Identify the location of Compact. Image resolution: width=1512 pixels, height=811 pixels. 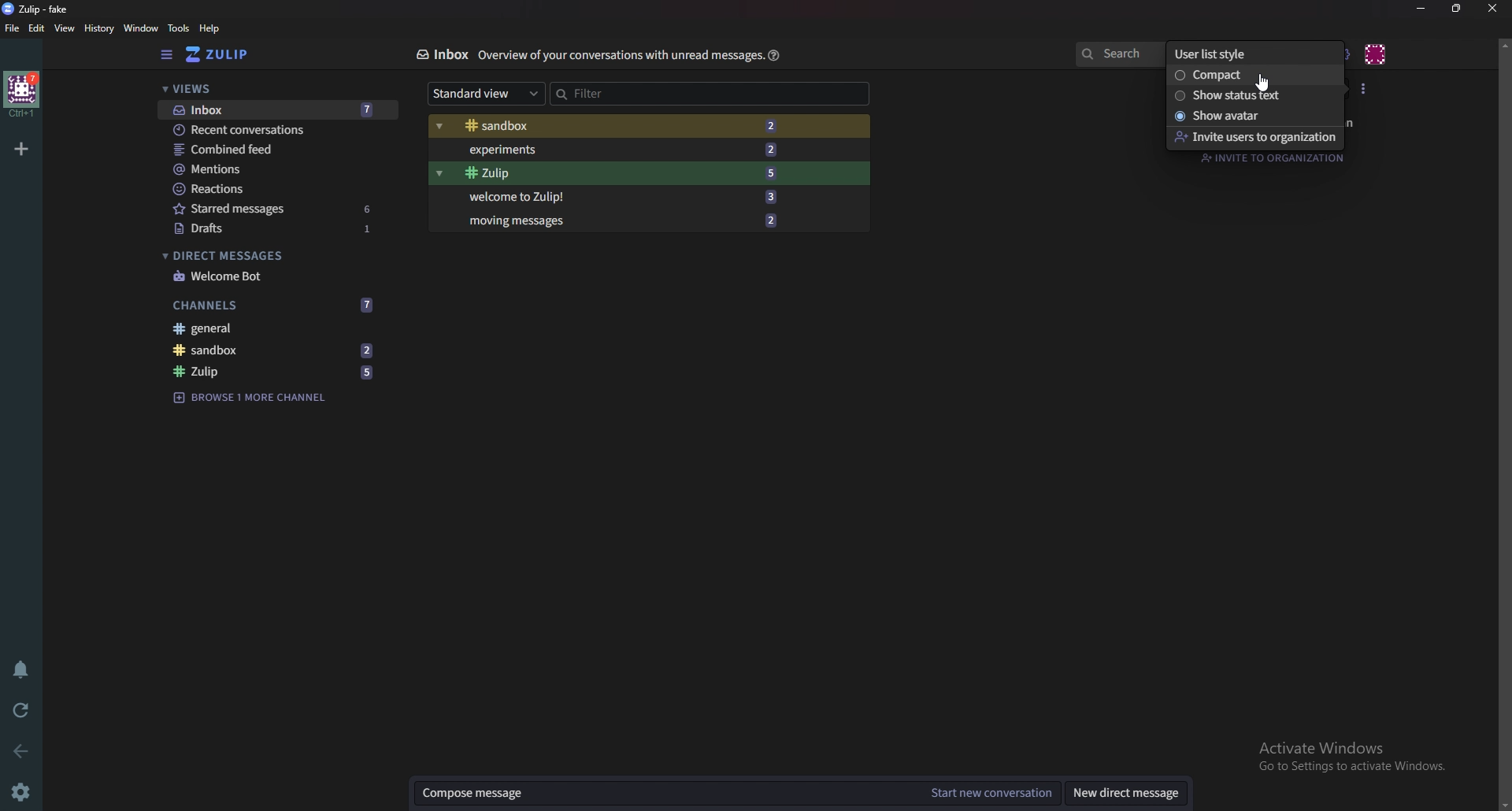
(1248, 76).